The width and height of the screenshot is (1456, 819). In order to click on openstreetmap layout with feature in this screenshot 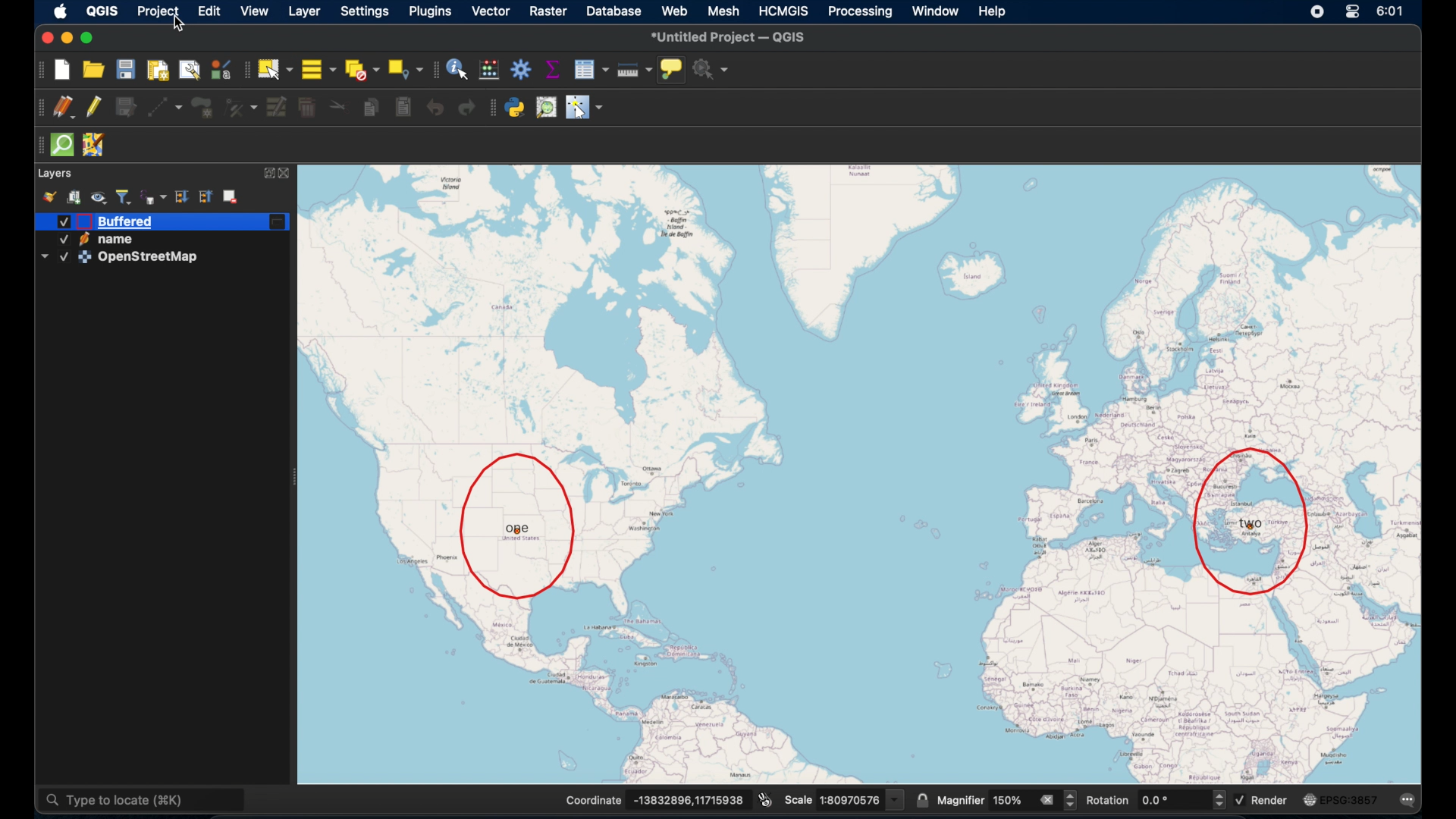, I will do `click(863, 469)`.